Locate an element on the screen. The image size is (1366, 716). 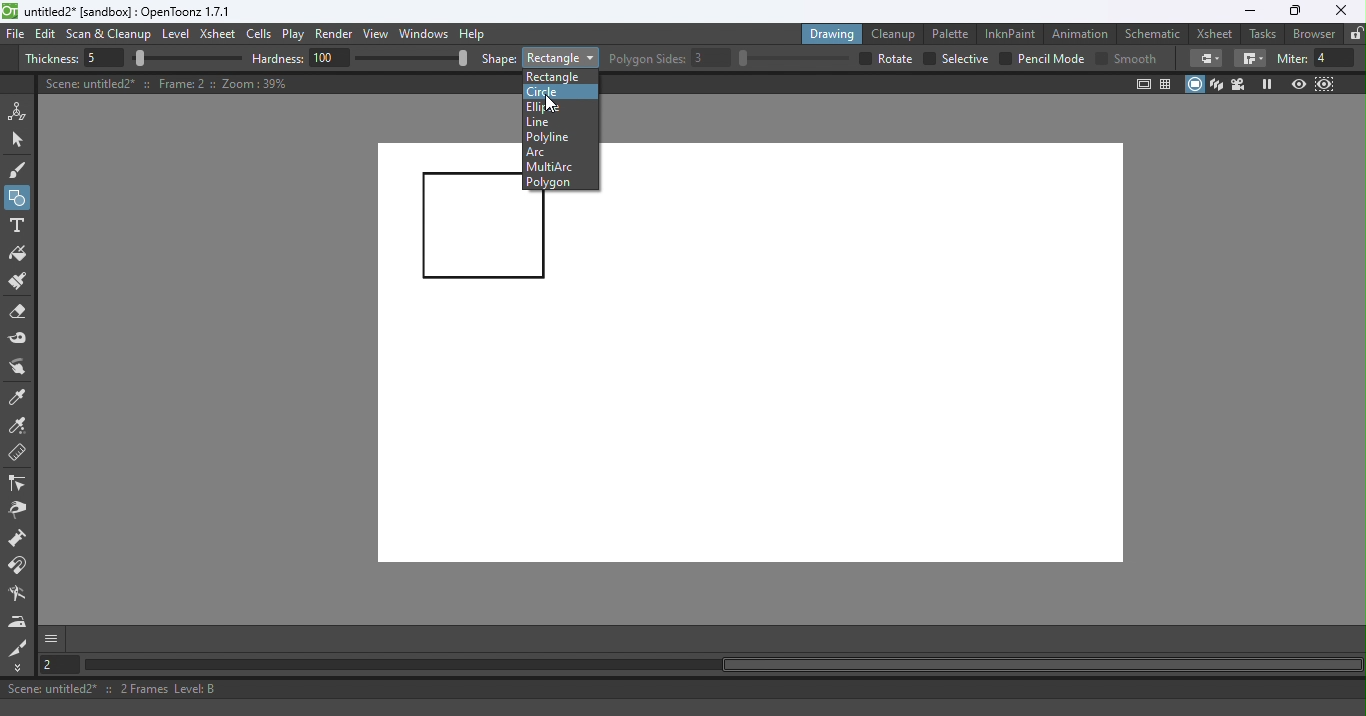
Set the current frame is located at coordinates (57, 664).